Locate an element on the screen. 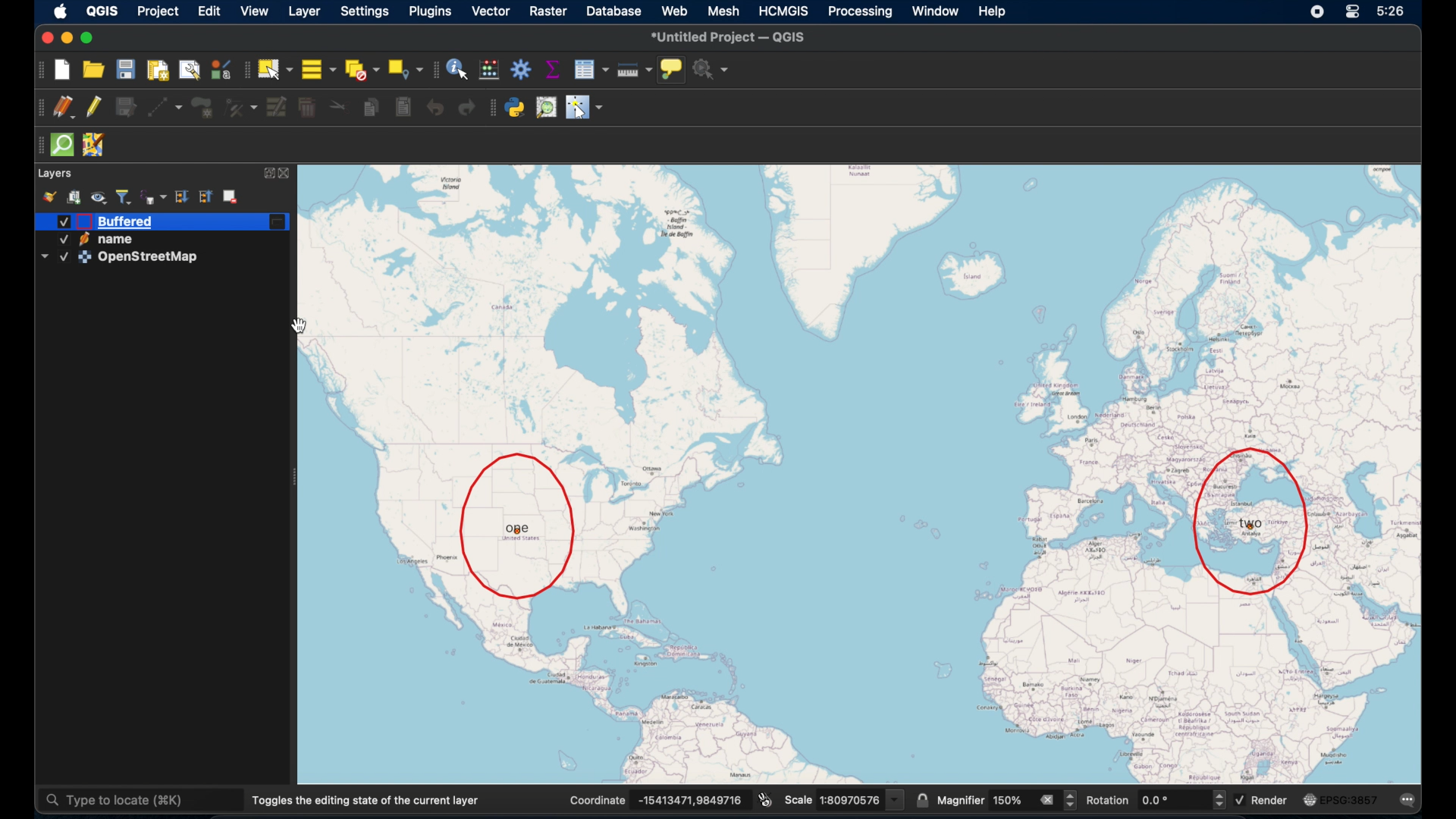  python console is located at coordinates (516, 107).